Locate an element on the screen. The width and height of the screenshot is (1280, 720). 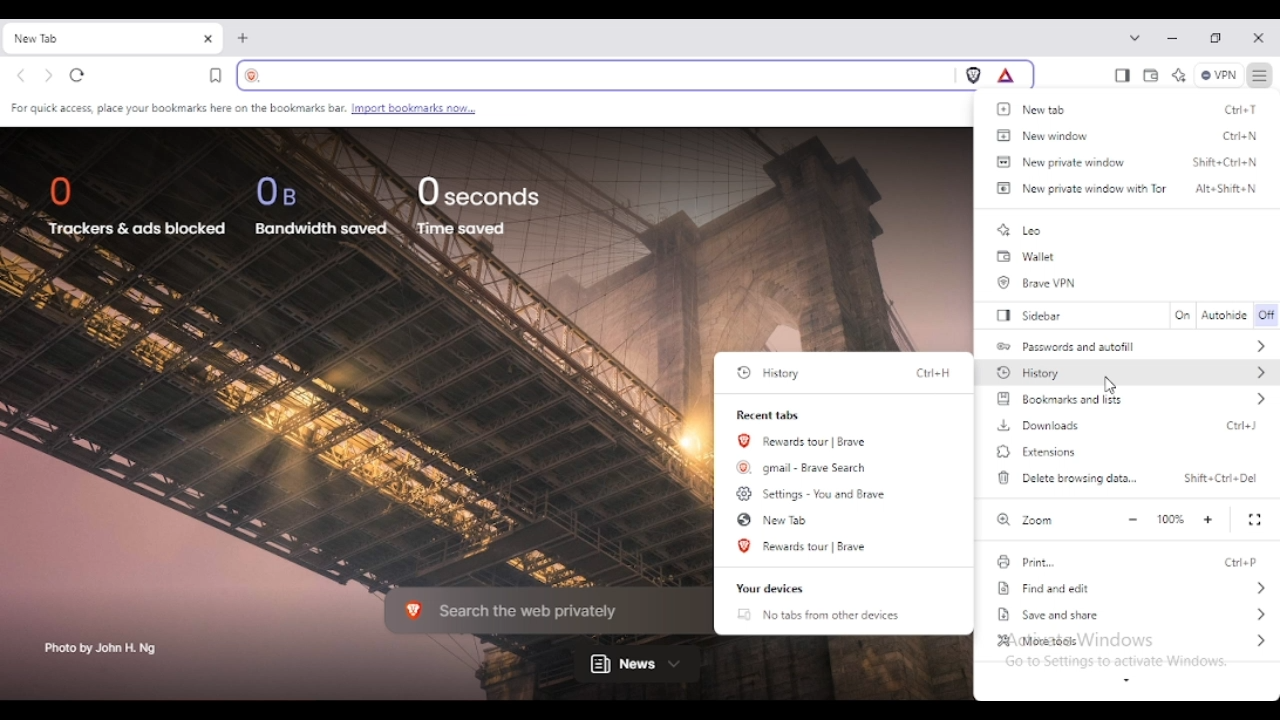
maximize is located at coordinates (1216, 39).